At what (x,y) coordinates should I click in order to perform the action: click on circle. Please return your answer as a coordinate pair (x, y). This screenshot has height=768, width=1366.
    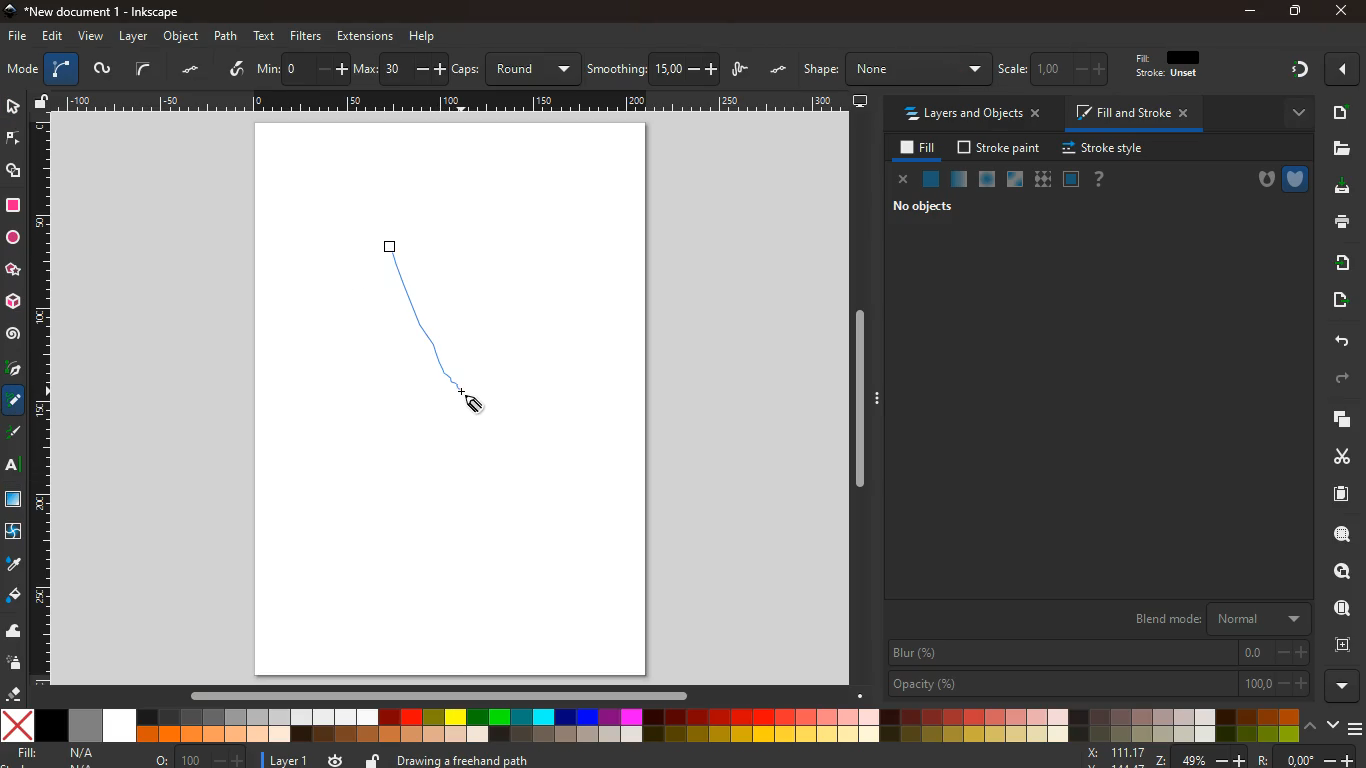
    Looking at the image, I should click on (12, 238).